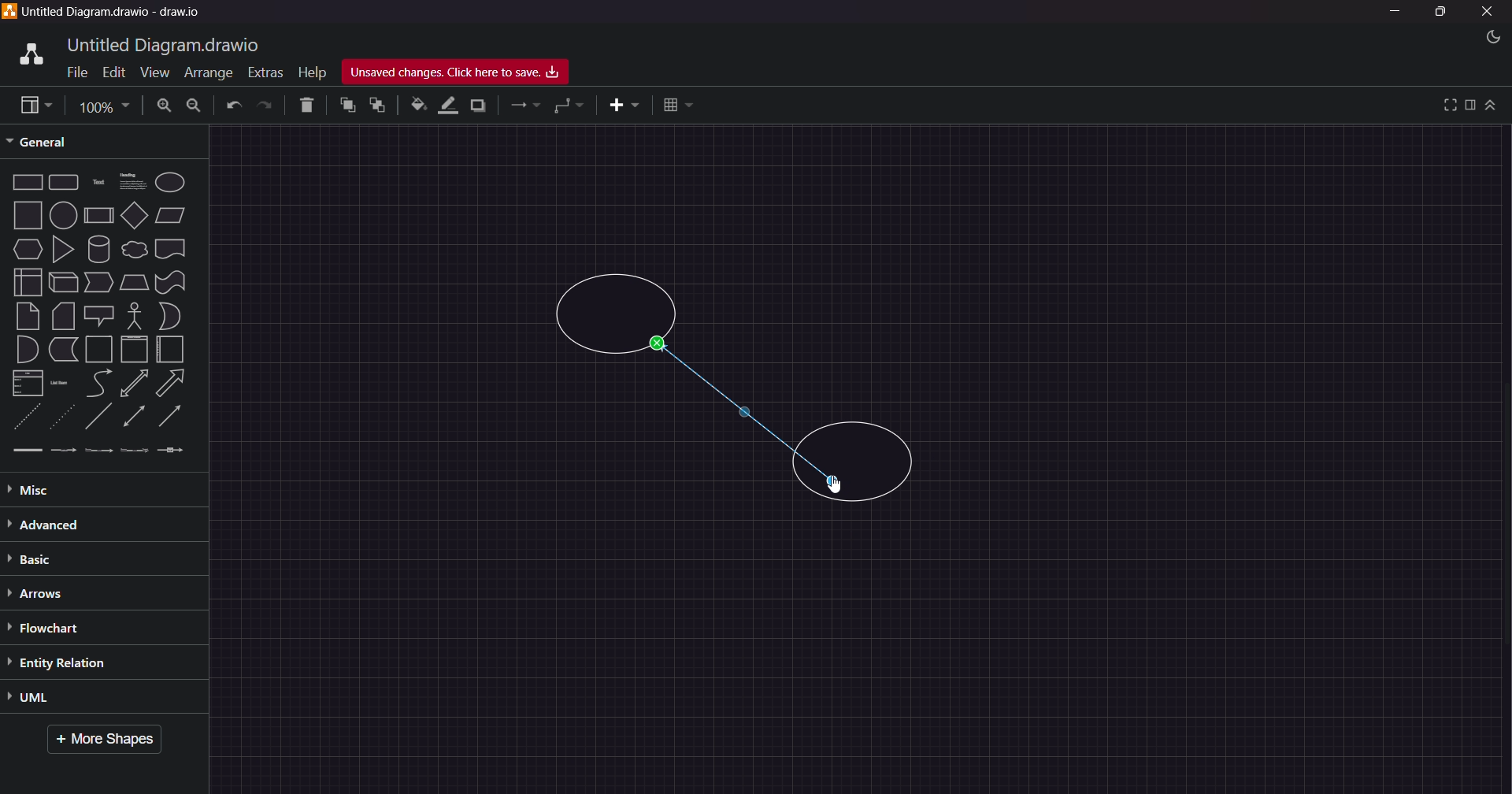  I want to click on File, so click(74, 73).